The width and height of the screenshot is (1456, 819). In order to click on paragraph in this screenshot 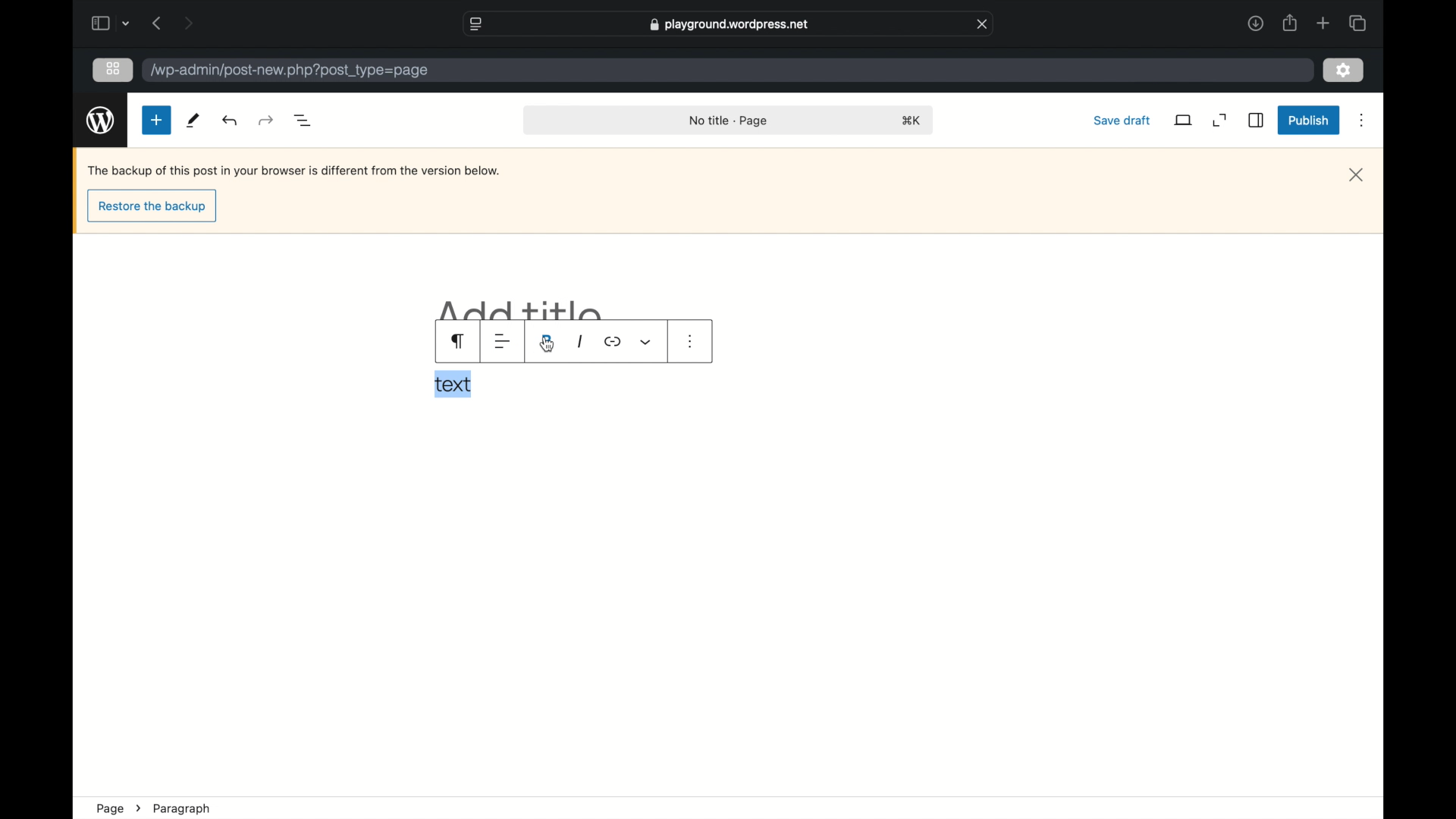, I will do `click(183, 809)`.